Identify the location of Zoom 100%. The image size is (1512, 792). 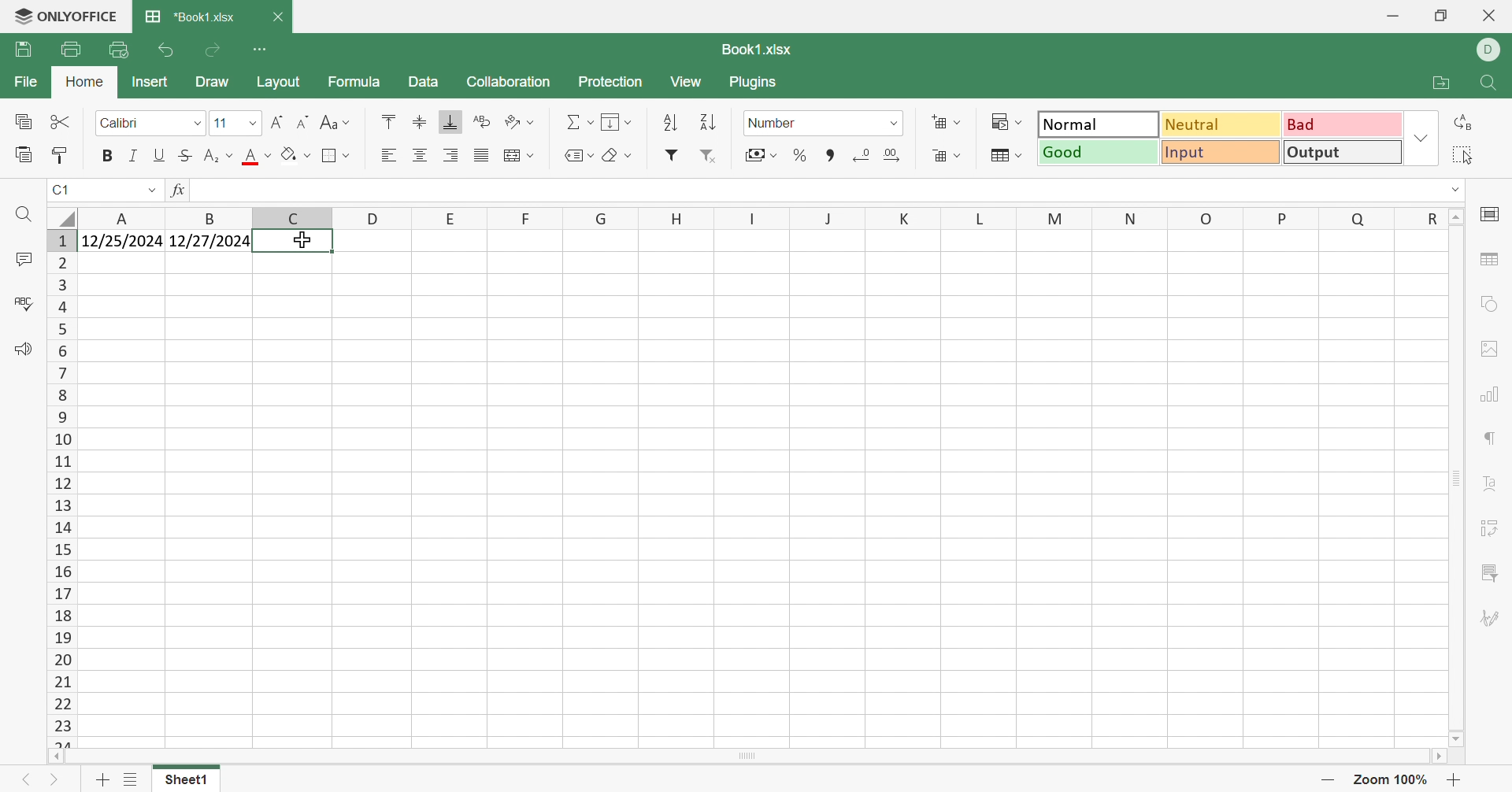
(1395, 780).